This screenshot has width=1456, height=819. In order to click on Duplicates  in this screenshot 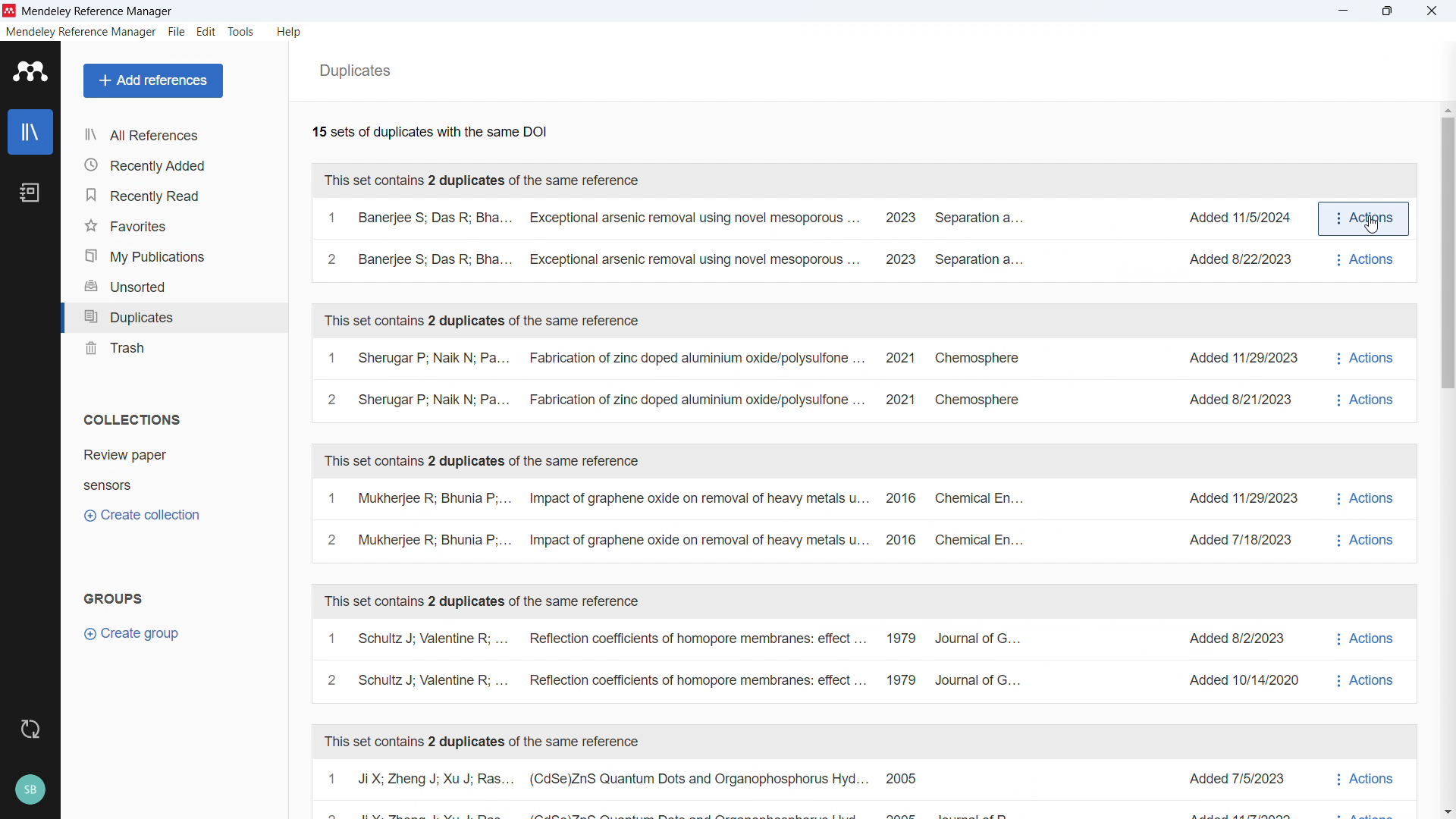, I will do `click(173, 318)`.